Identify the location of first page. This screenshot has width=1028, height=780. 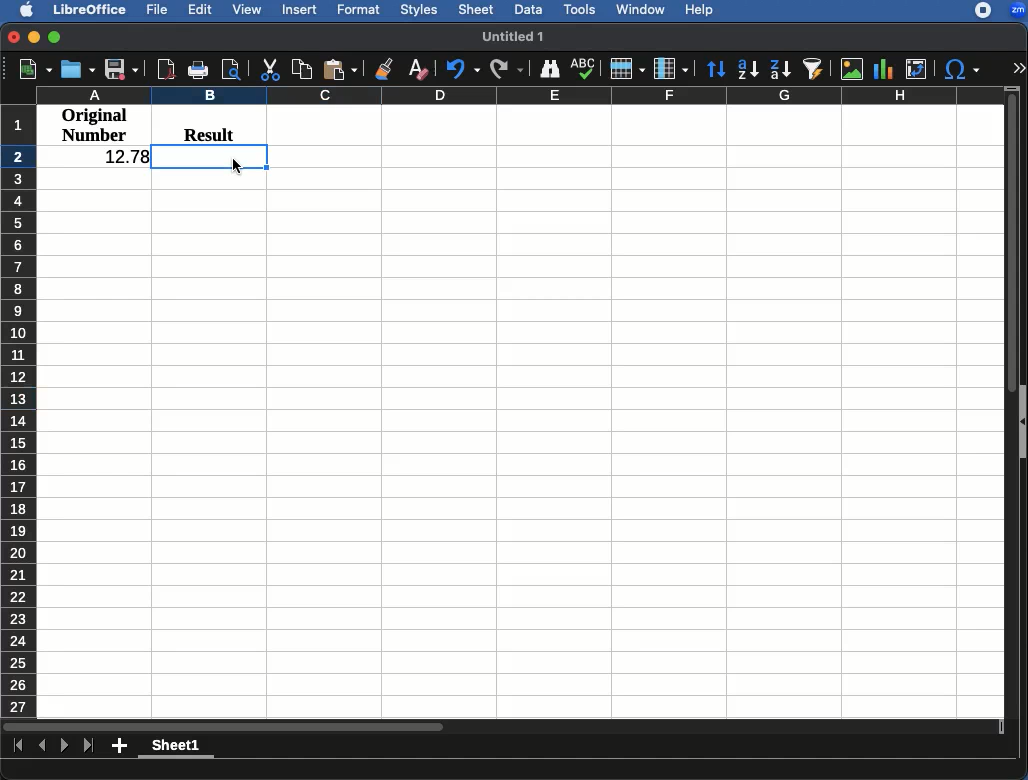
(19, 747).